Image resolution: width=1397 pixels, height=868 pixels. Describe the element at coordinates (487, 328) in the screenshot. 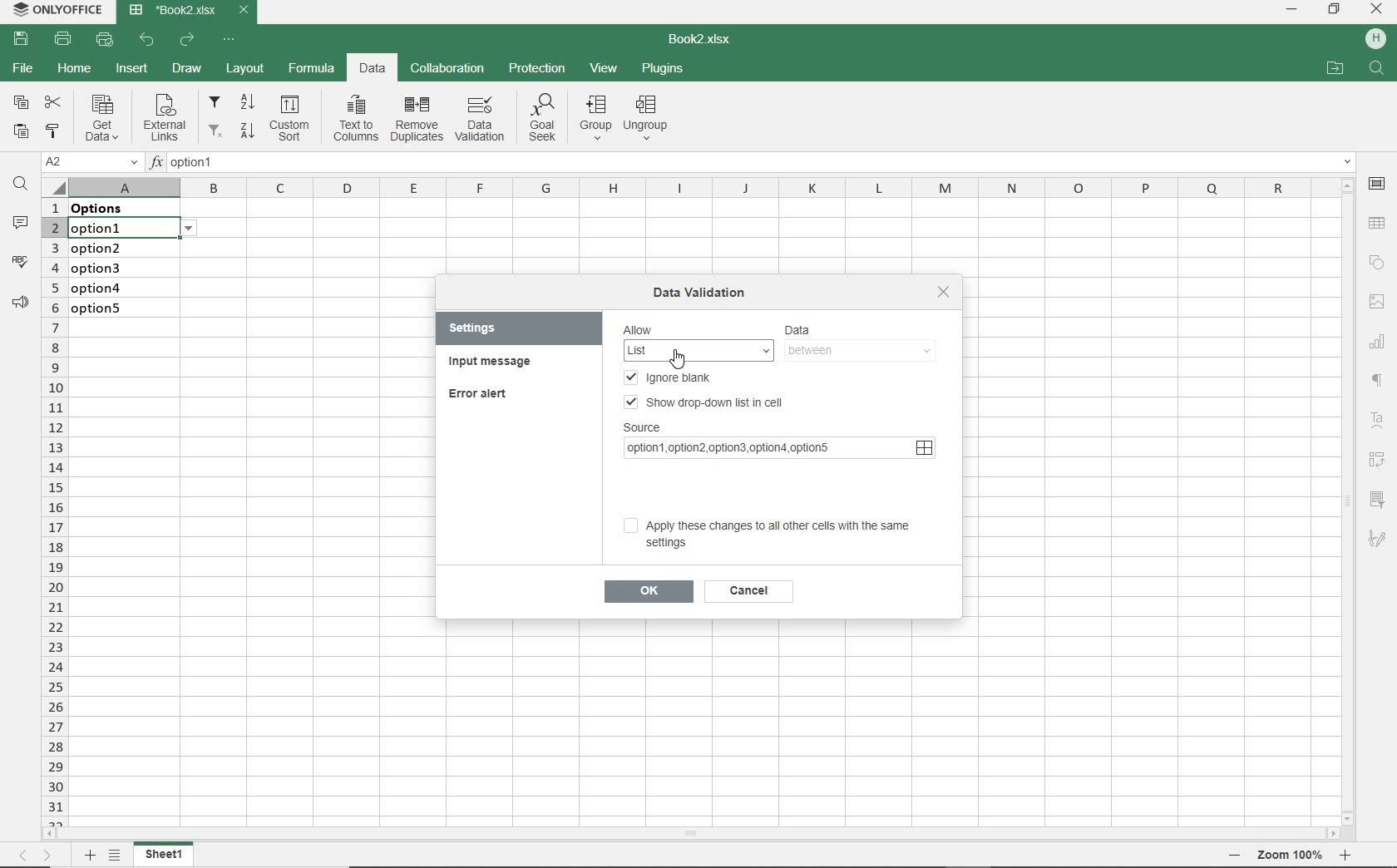

I see `SETTINGS` at that location.